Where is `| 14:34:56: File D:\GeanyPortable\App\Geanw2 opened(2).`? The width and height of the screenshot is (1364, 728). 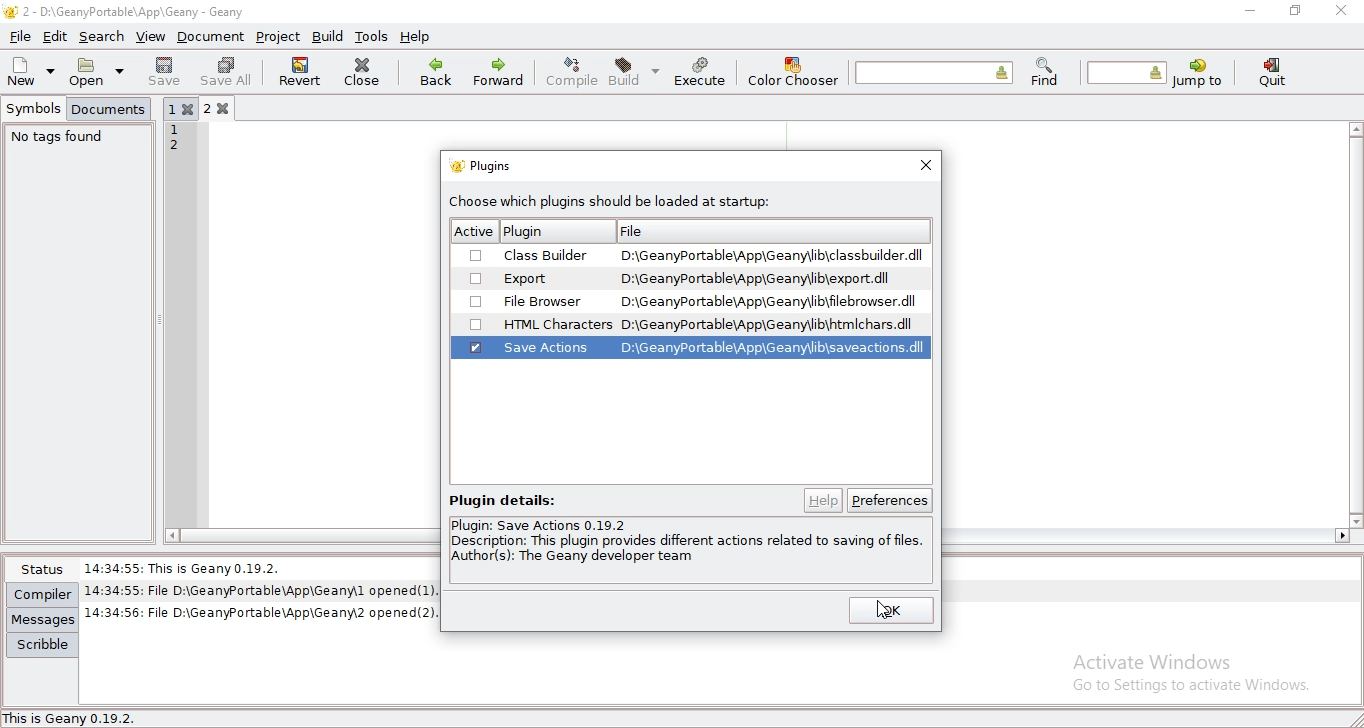
| 14:34:56: File D:\GeanyPortable\App\Geanw2 opened(2). is located at coordinates (265, 611).